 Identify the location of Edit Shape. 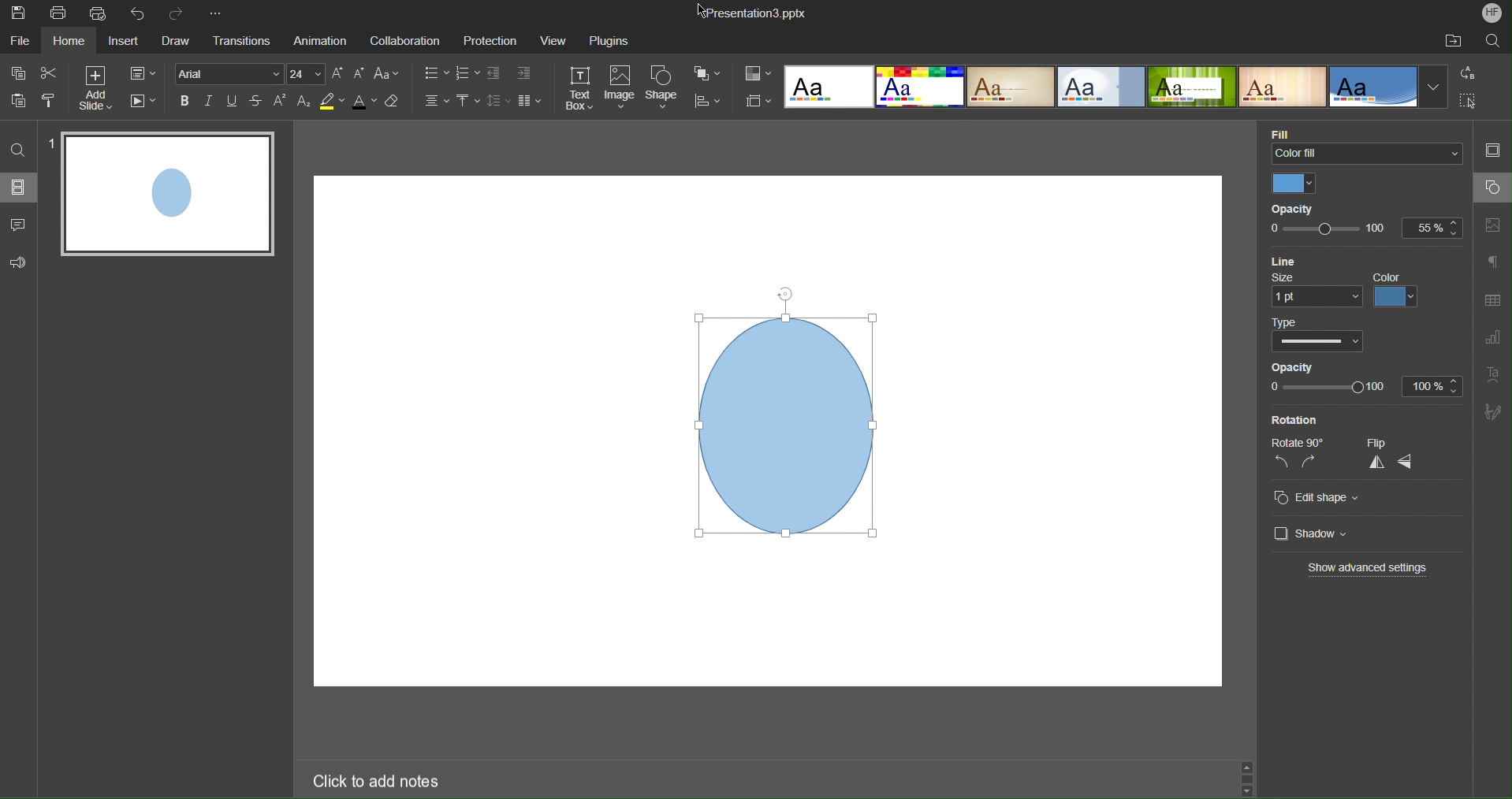
(1320, 497).